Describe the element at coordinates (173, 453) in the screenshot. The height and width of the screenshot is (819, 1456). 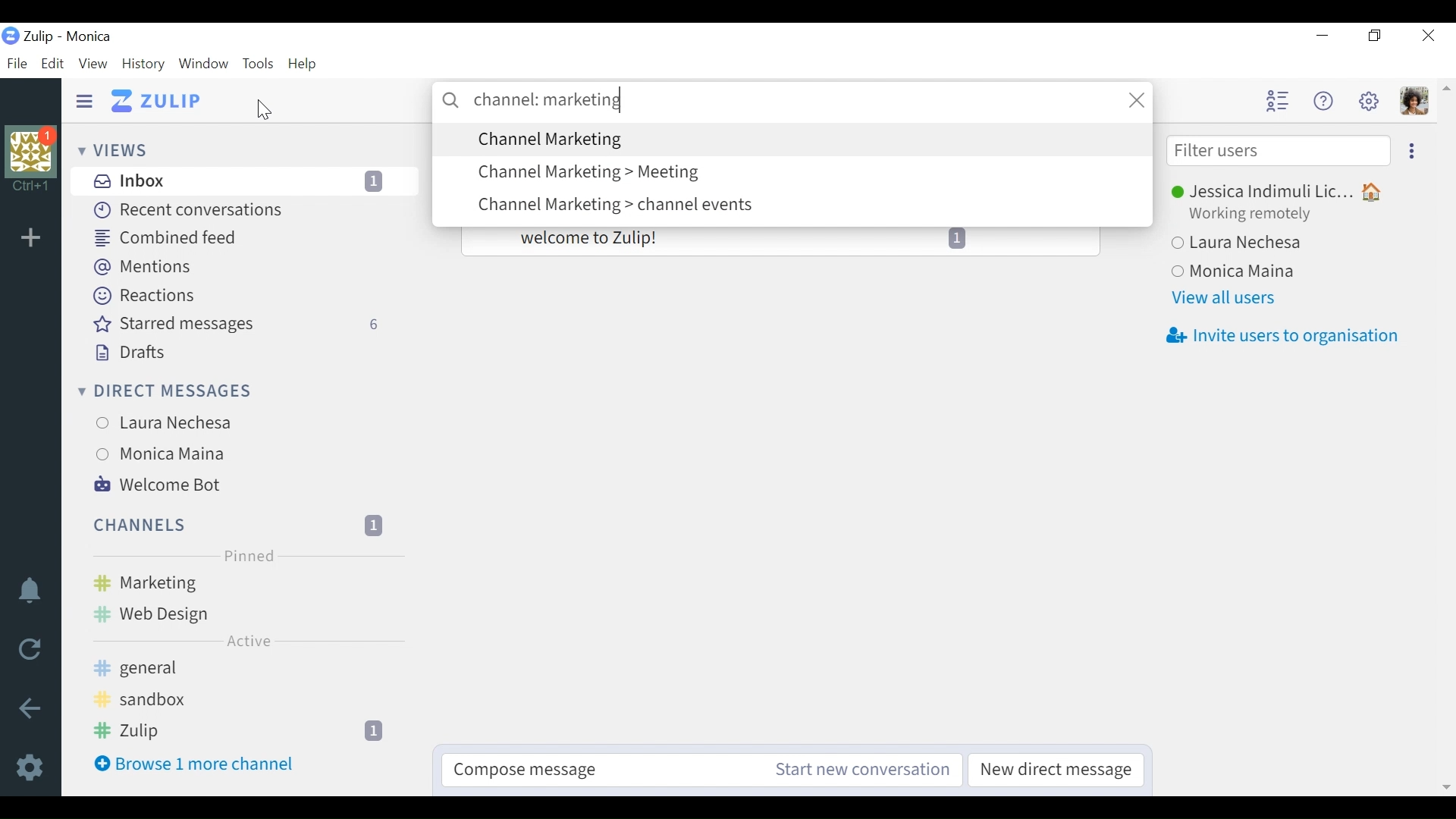
I see `users` at that location.